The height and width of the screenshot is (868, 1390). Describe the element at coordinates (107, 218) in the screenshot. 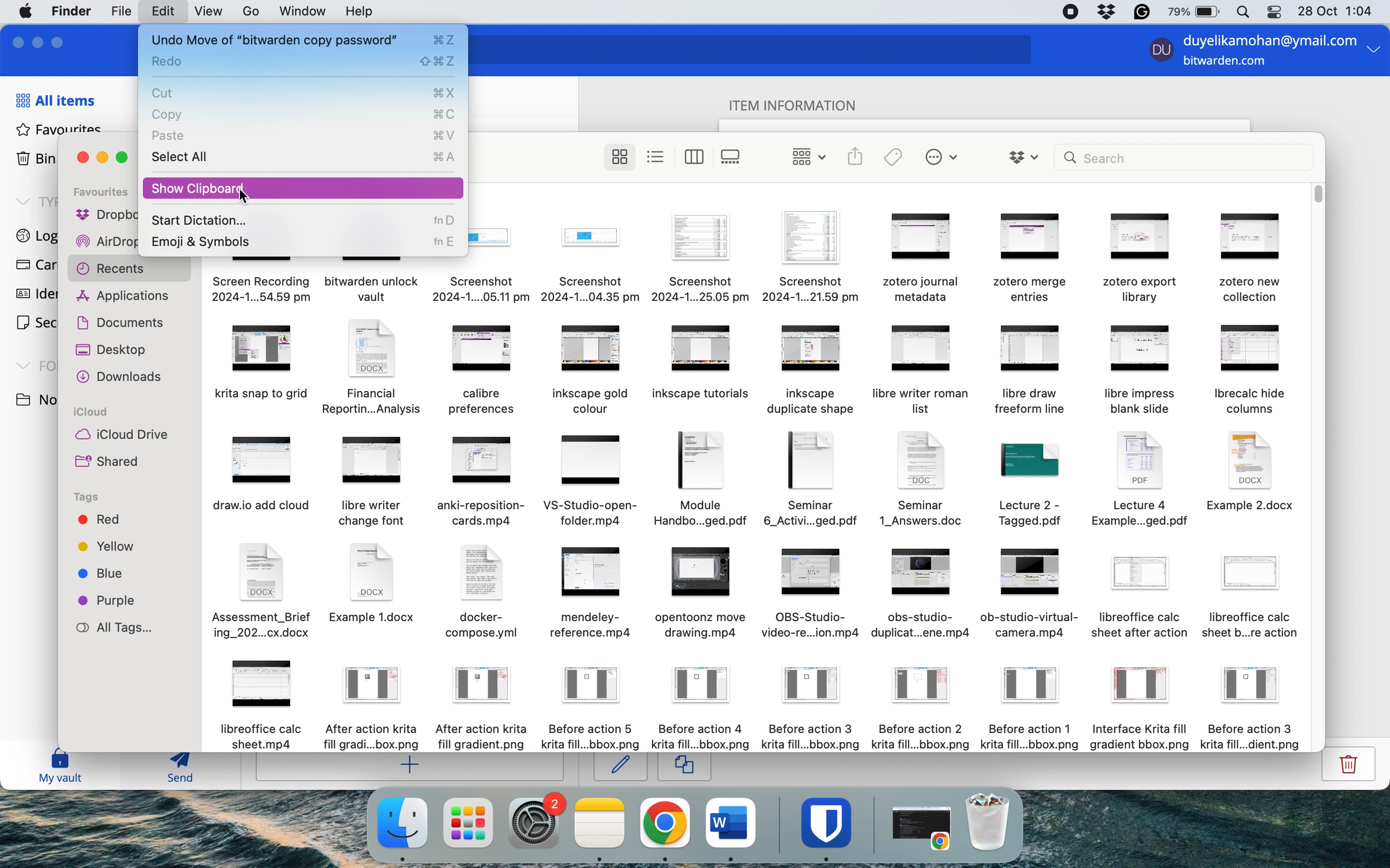

I see `dropbox` at that location.